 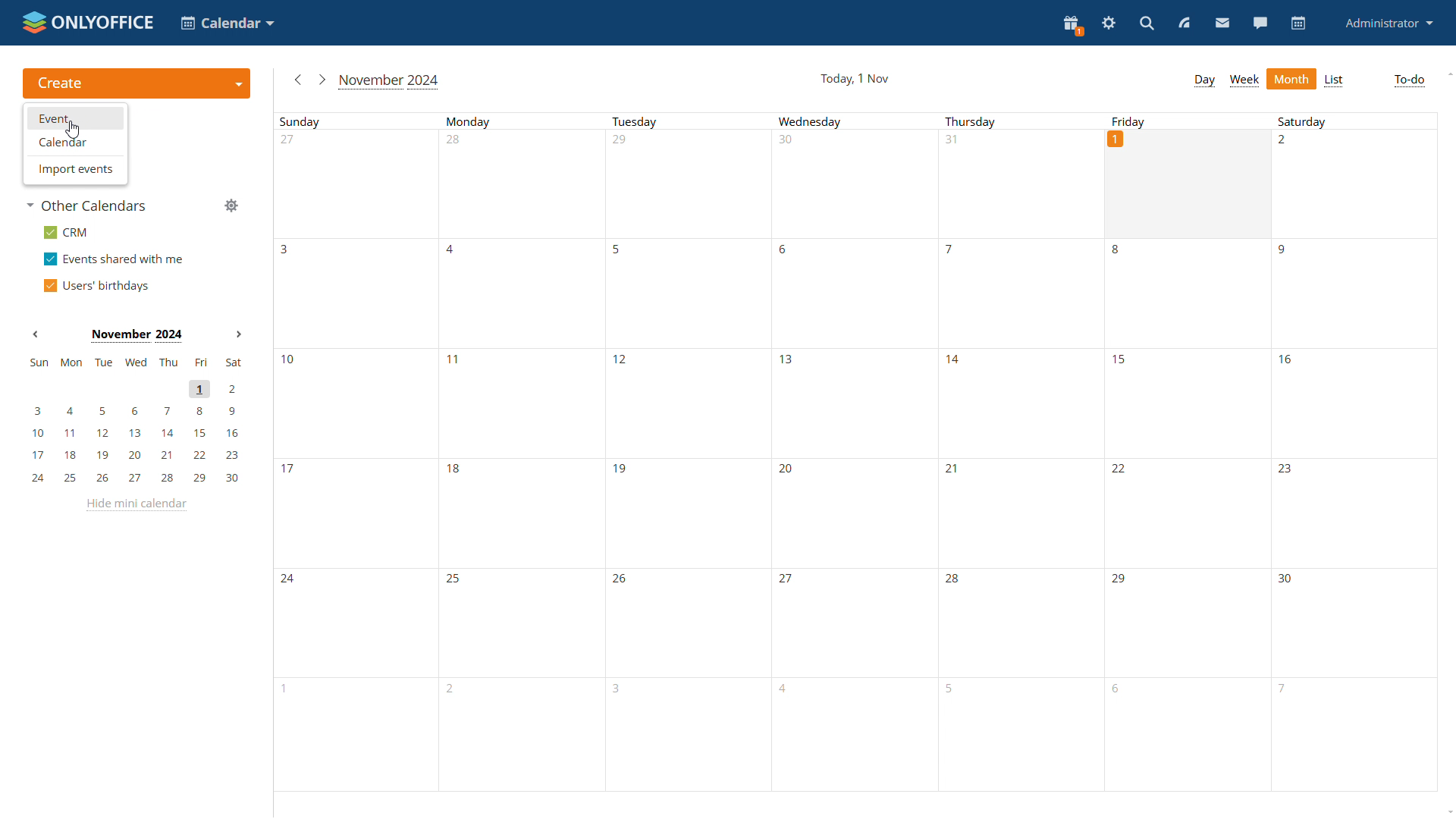 What do you see at coordinates (238, 334) in the screenshot?
I see `Next month` at bounding box center [238, 334].